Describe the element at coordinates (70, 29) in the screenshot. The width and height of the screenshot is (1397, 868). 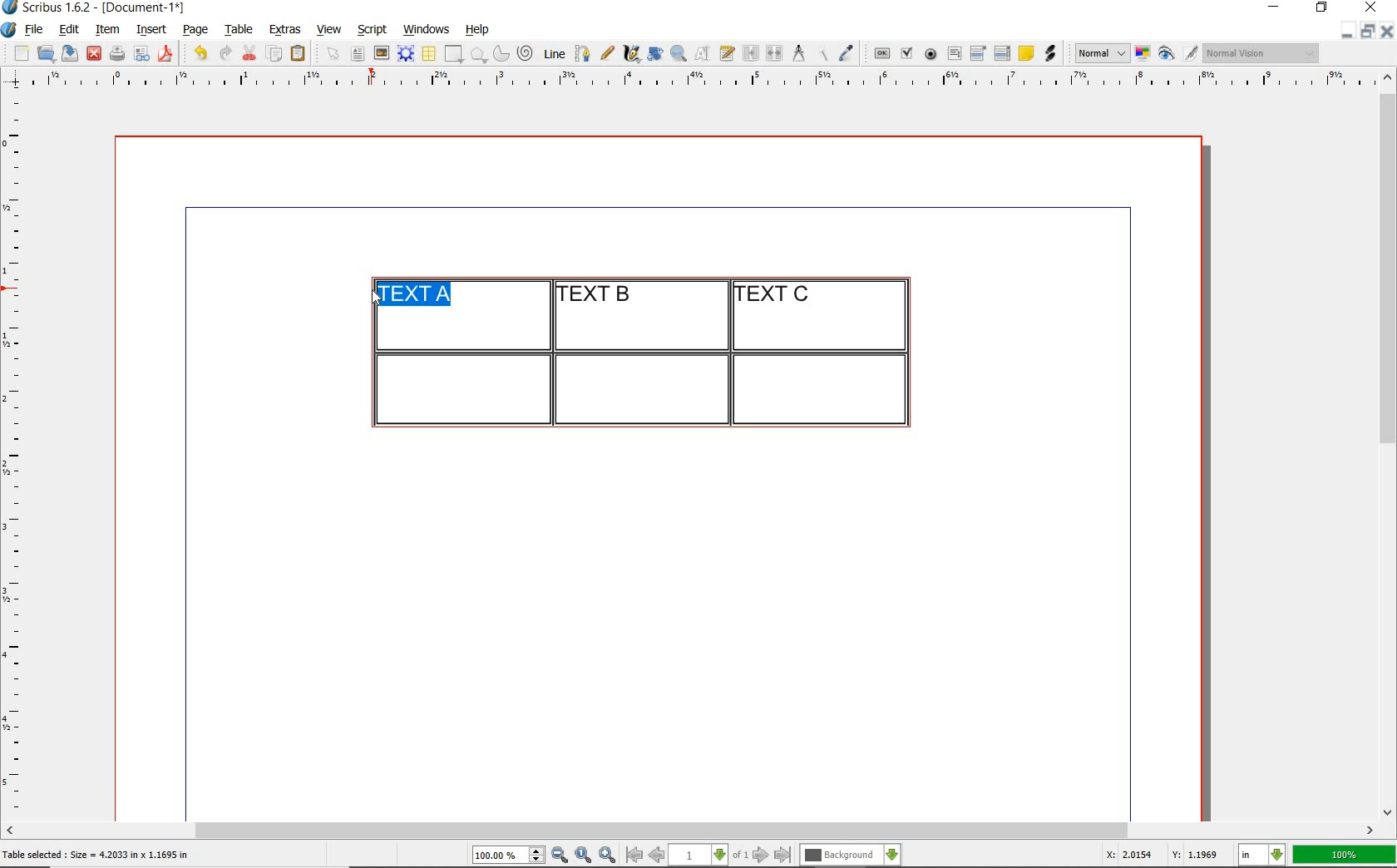
I see `edit` at that location.